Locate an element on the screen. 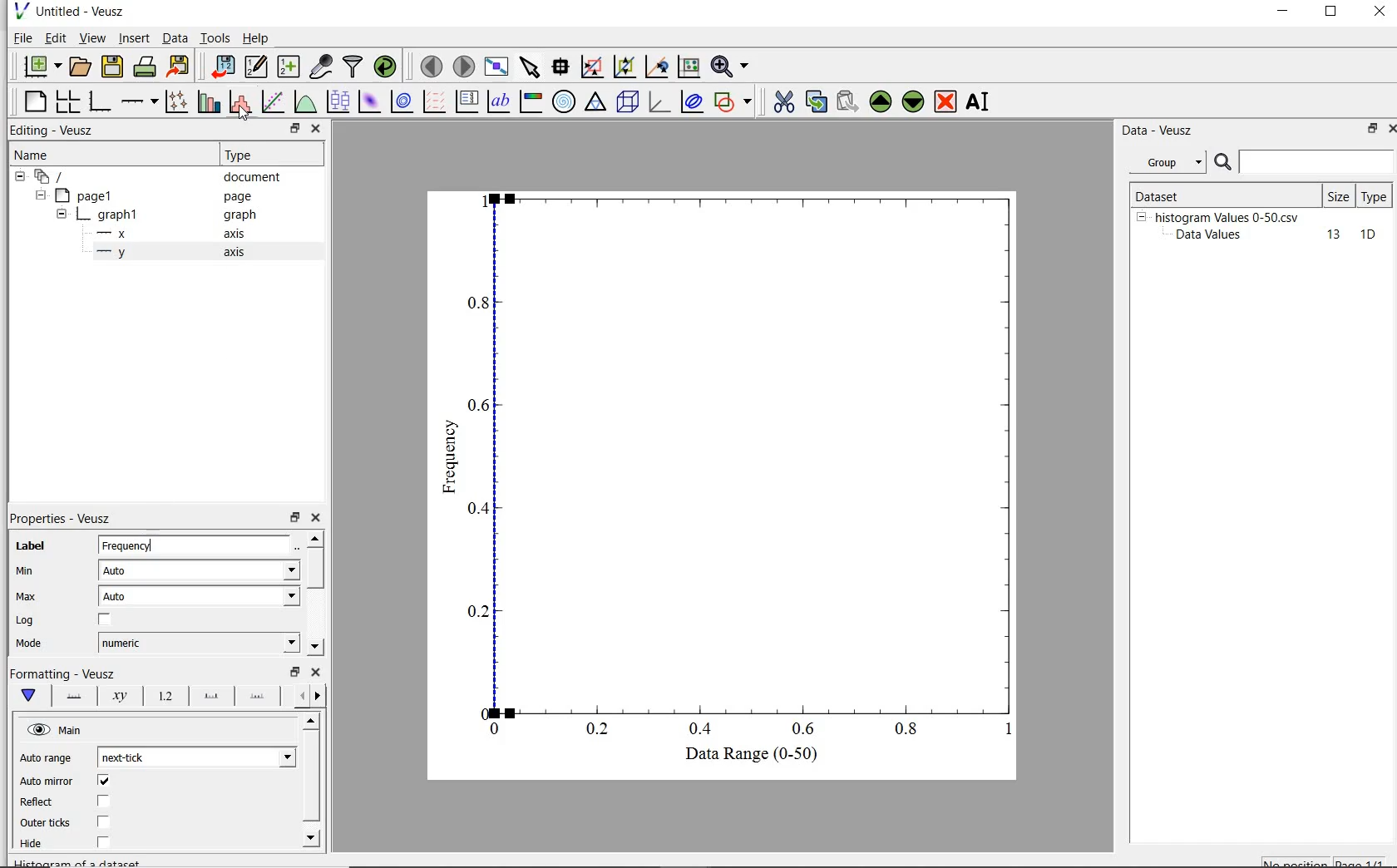 The width and height of the screenshot is (1397, 868). page1 is located at coordinates (87, 197).